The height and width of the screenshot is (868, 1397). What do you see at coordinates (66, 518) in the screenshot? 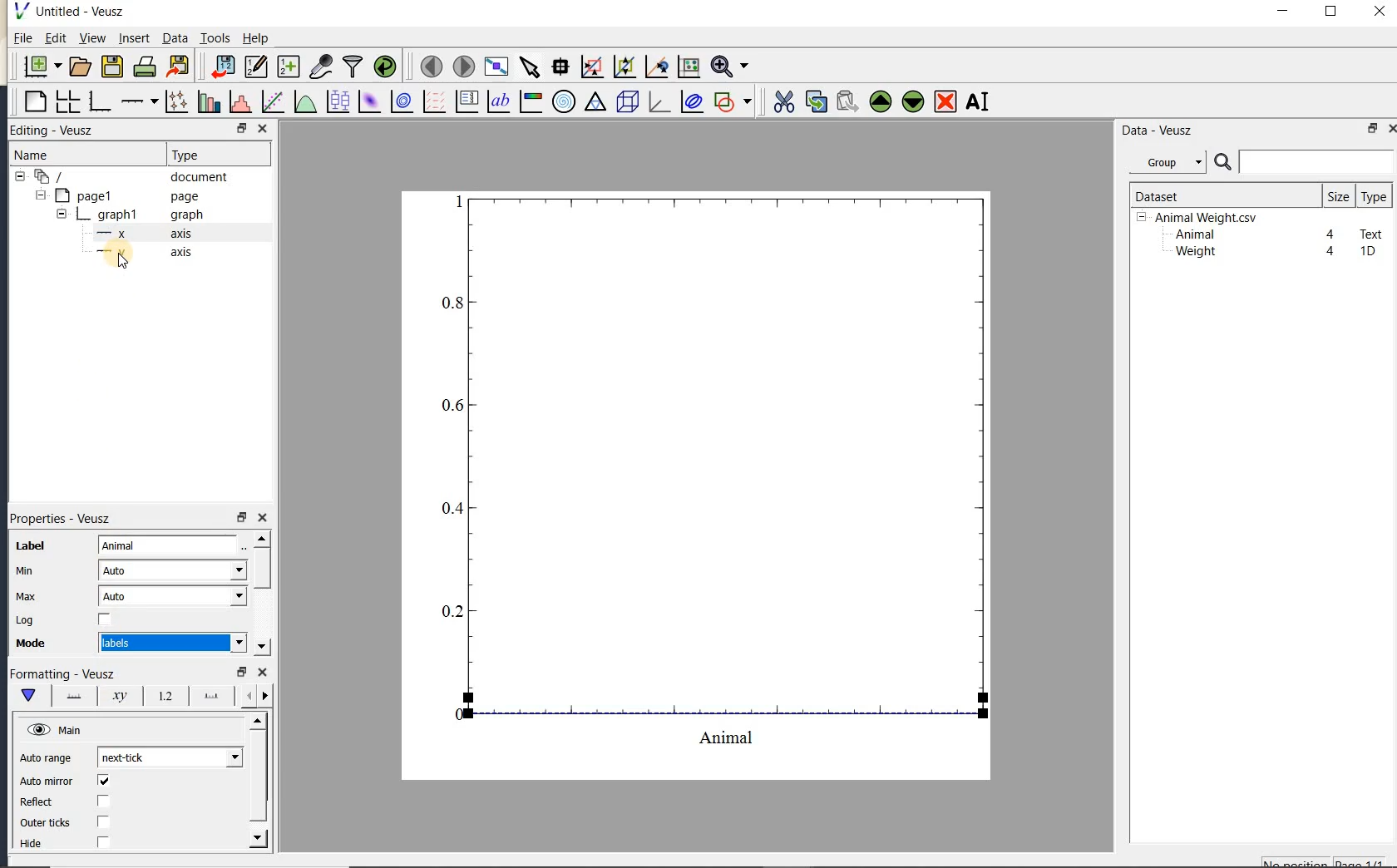
I see `Properties - Veusz` at bounding box center [66, 518].